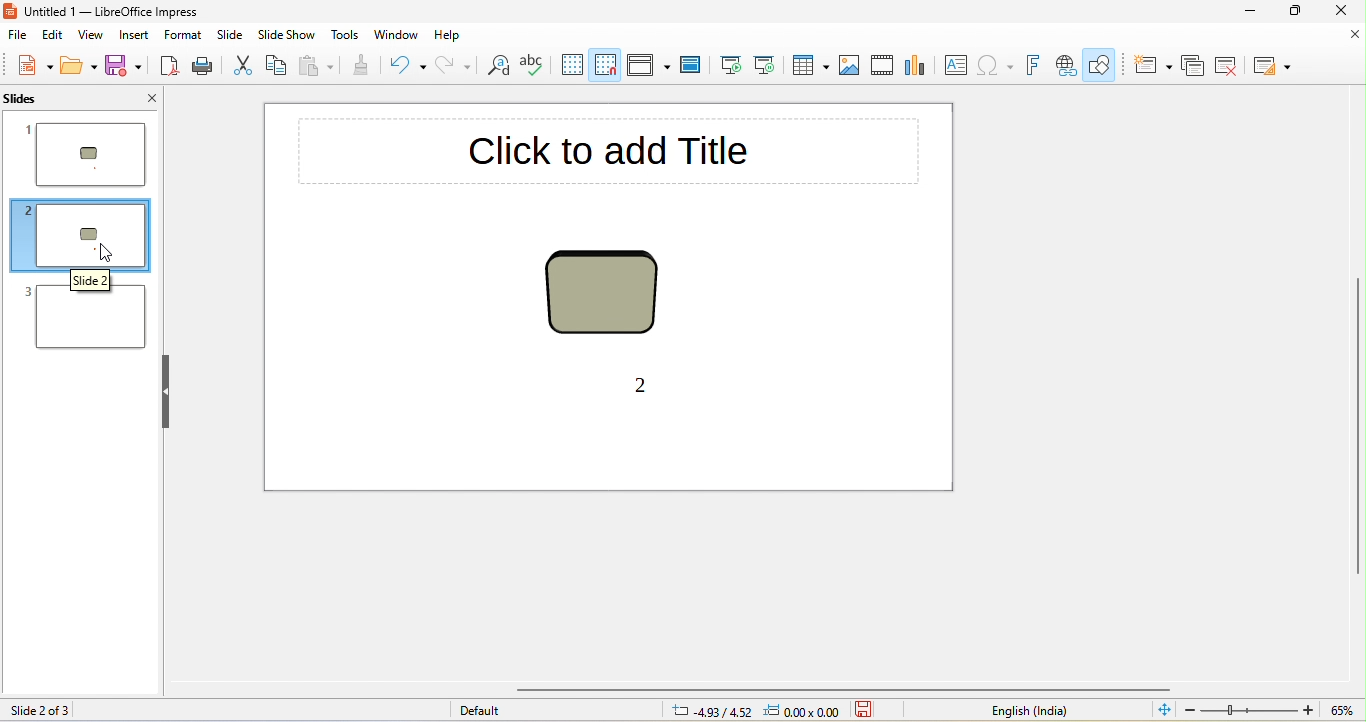 This screenshot has width=1366, height=722. Describe the element at coordinates (40, 711) in the screenshot. I see `slide 2 of 3` at that location.